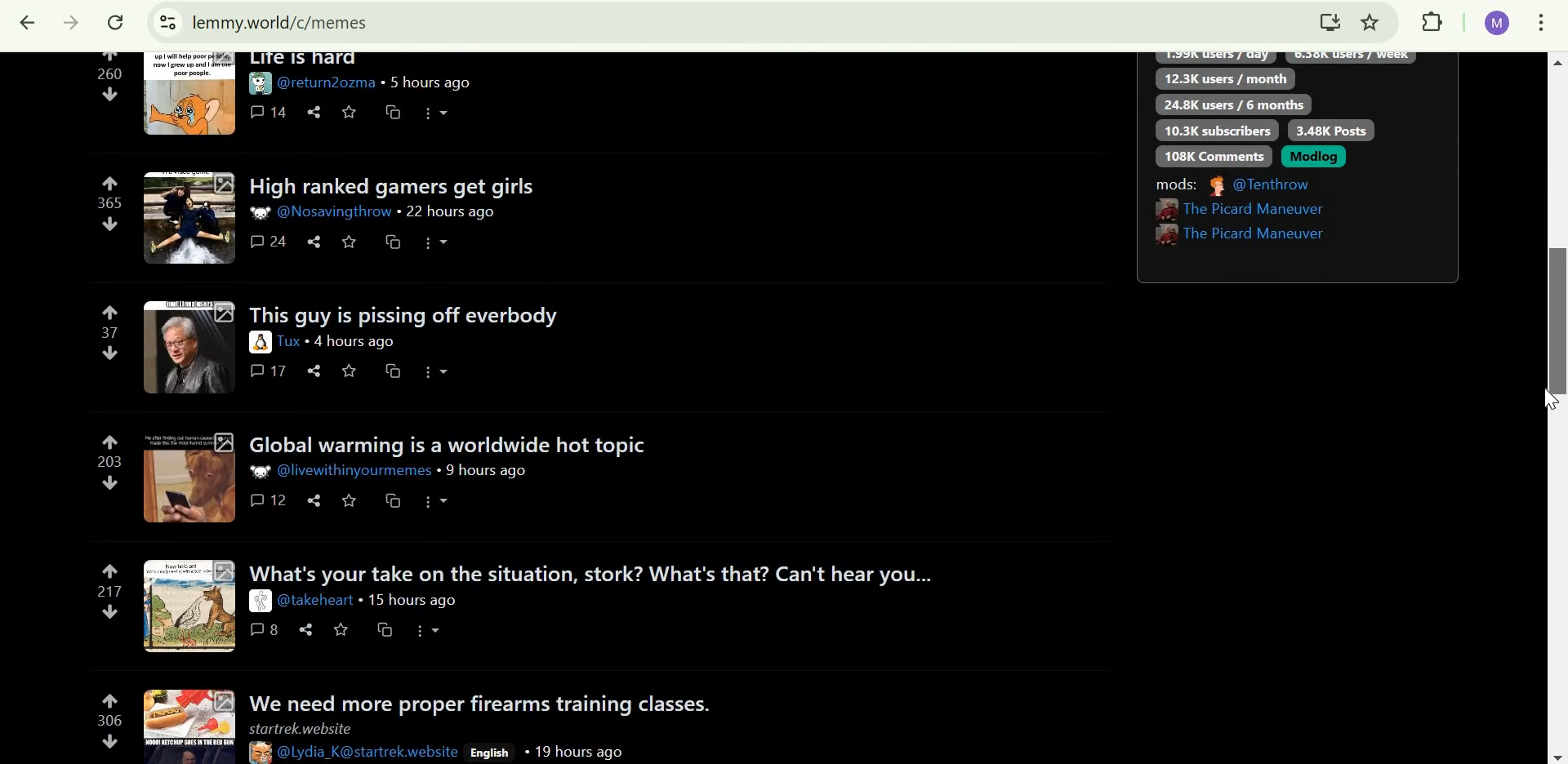  I want to click on Modlog, so click(1316, 157).